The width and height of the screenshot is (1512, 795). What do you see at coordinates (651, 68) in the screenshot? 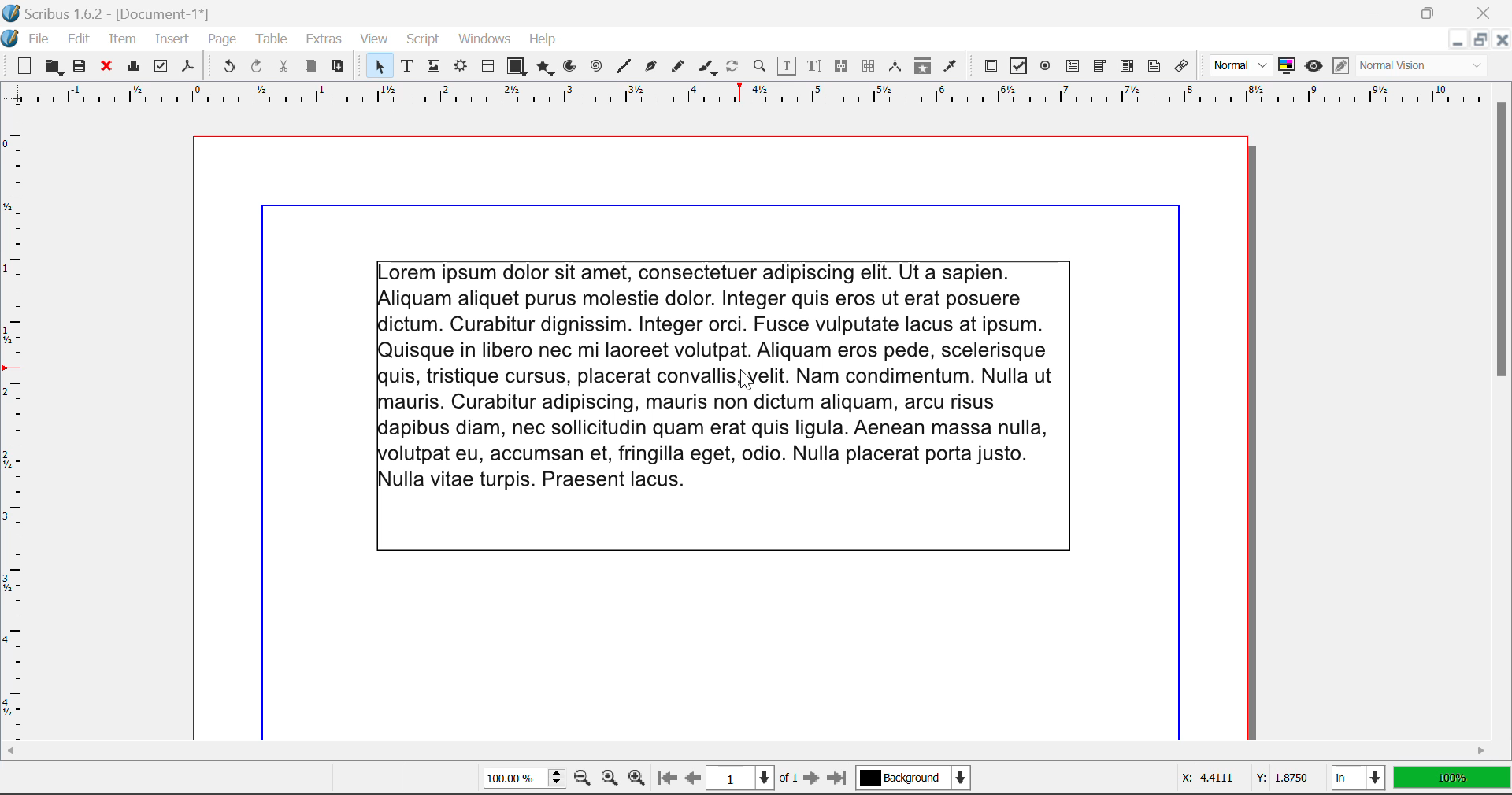
I see `Bezier Curve` at bounding box center [651, 68].